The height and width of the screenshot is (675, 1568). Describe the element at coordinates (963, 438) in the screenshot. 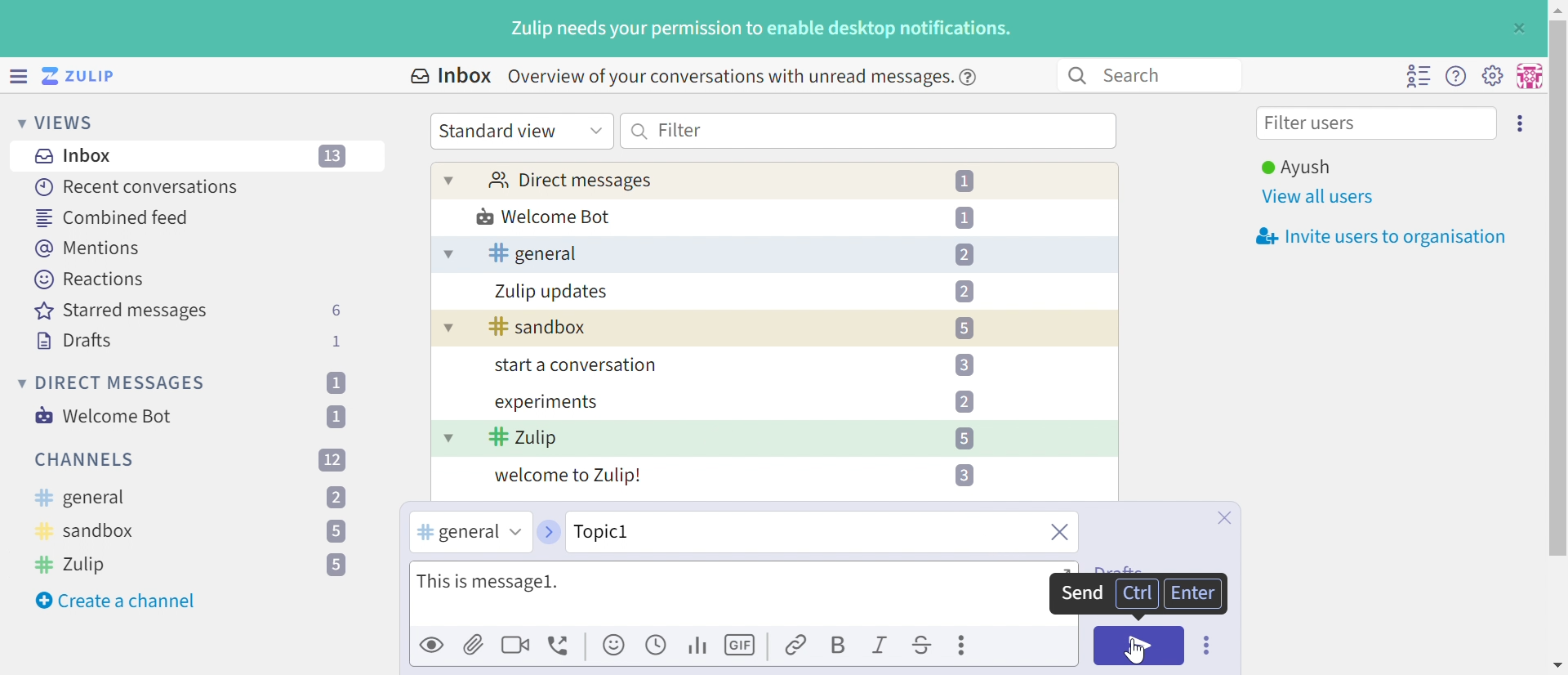

I see `5` at that location.